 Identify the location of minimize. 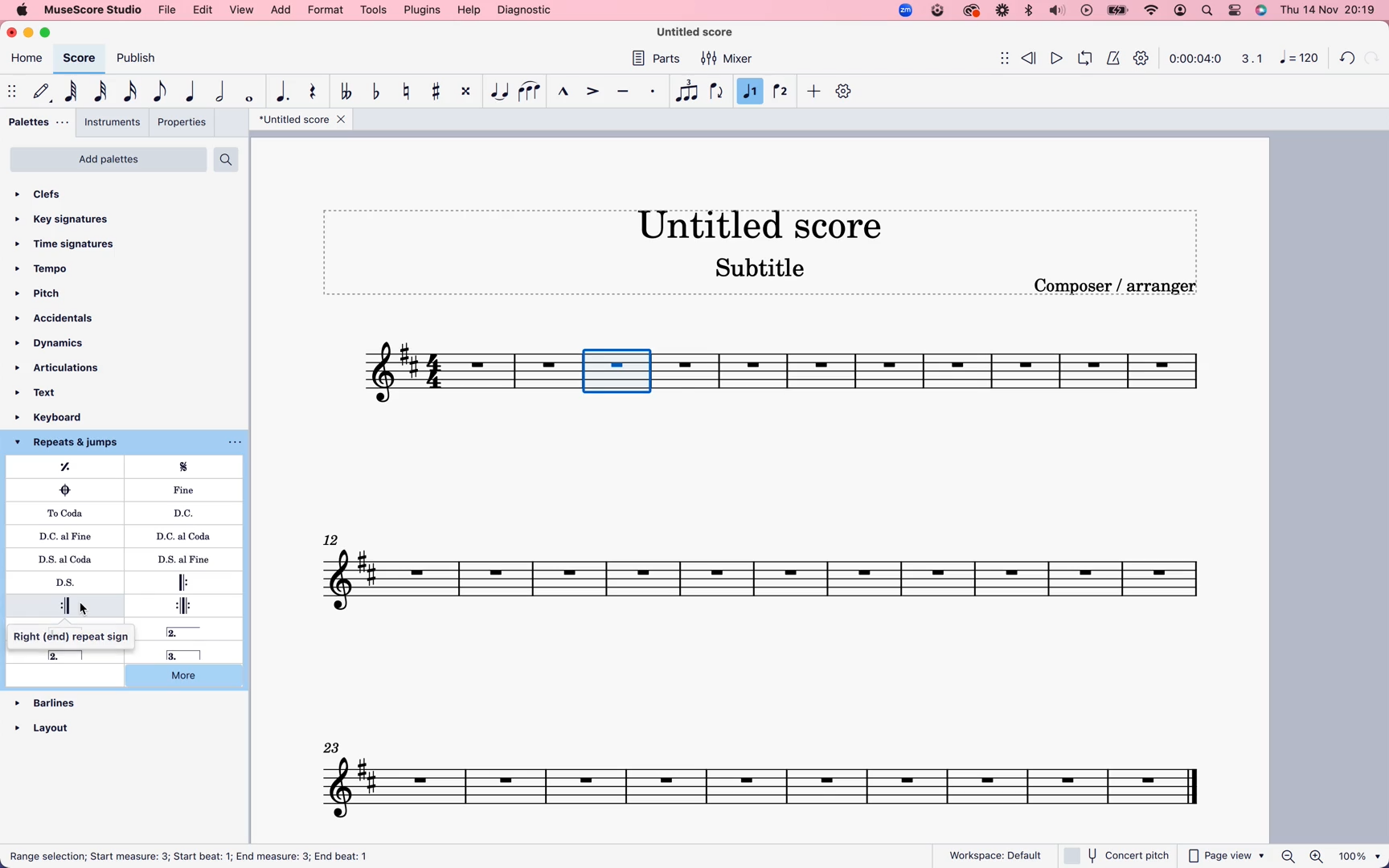
(31, 33).